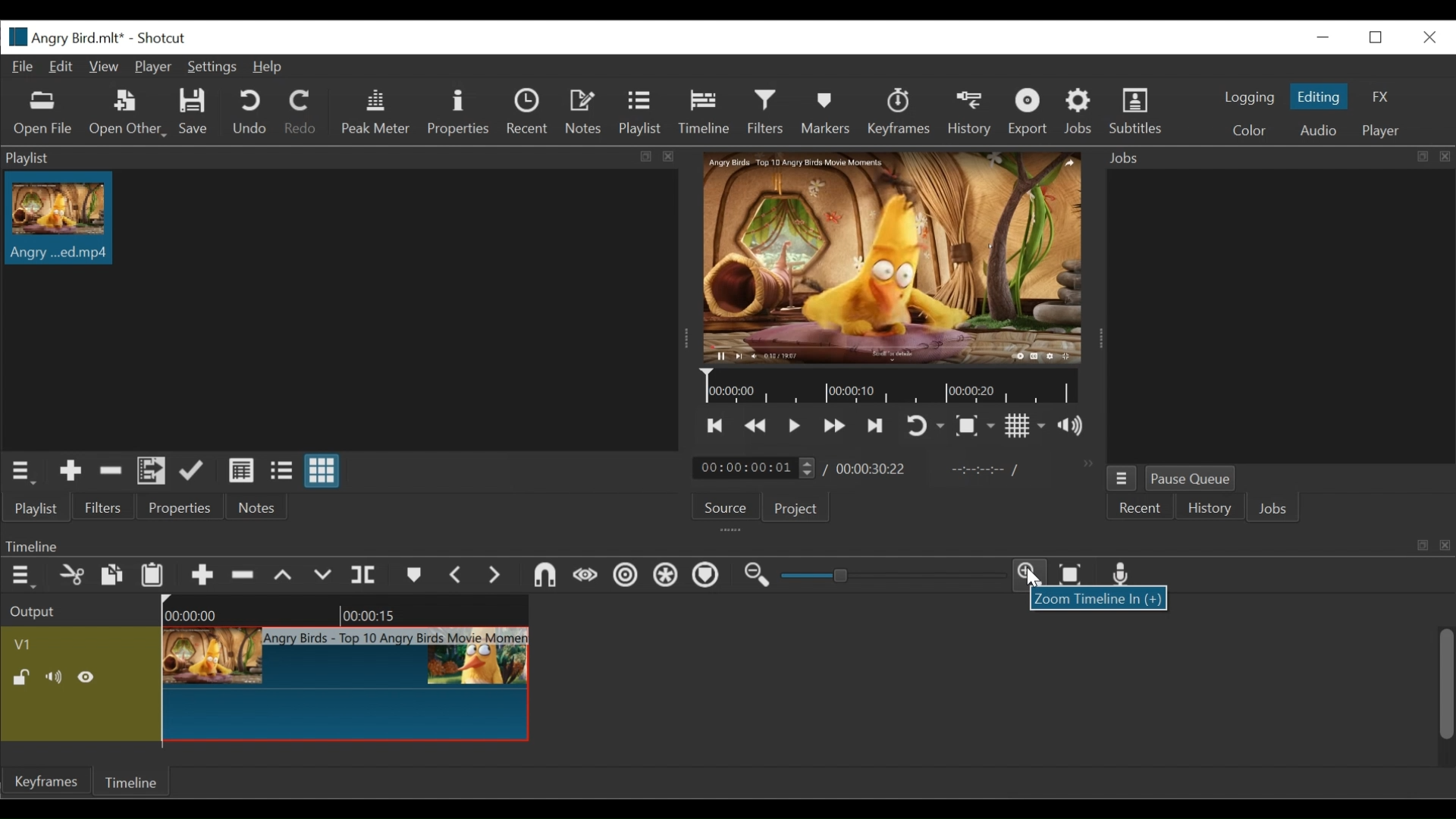 The image size is (1456, 819). Describe the element at coordinates (194, 472) in the screenshot. I see `Append` at that location.